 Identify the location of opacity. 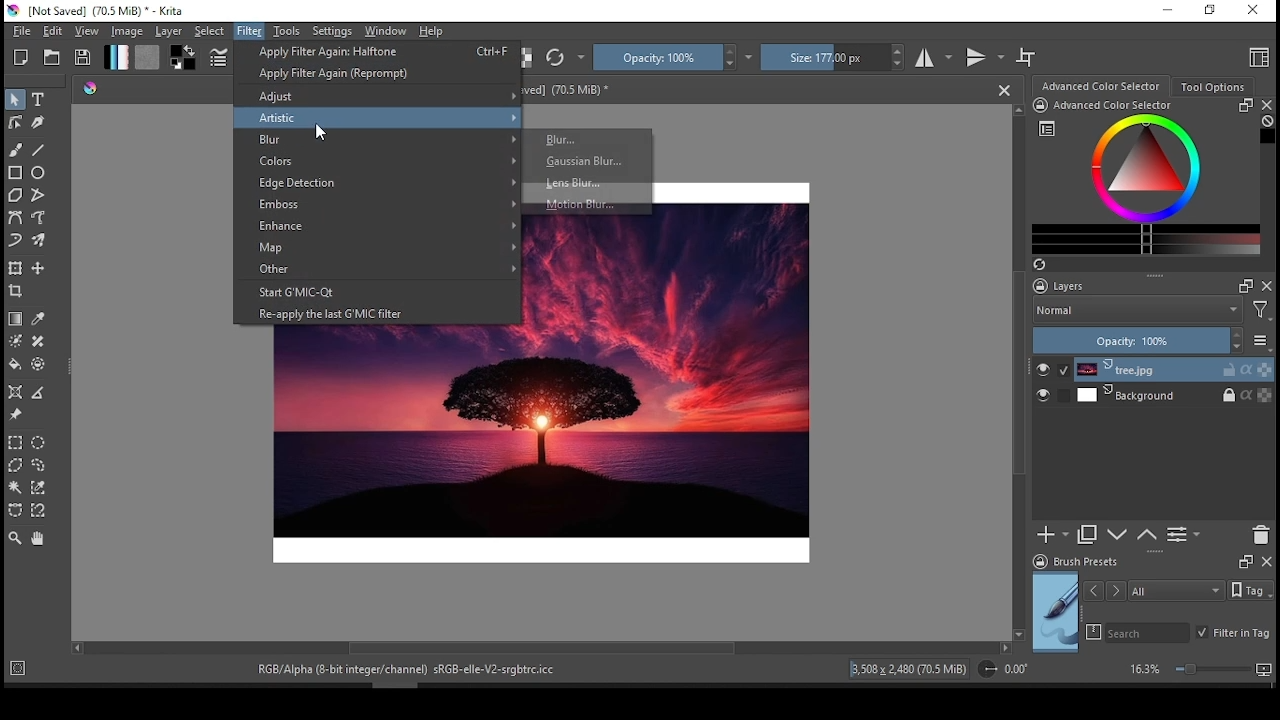
(666, 58).